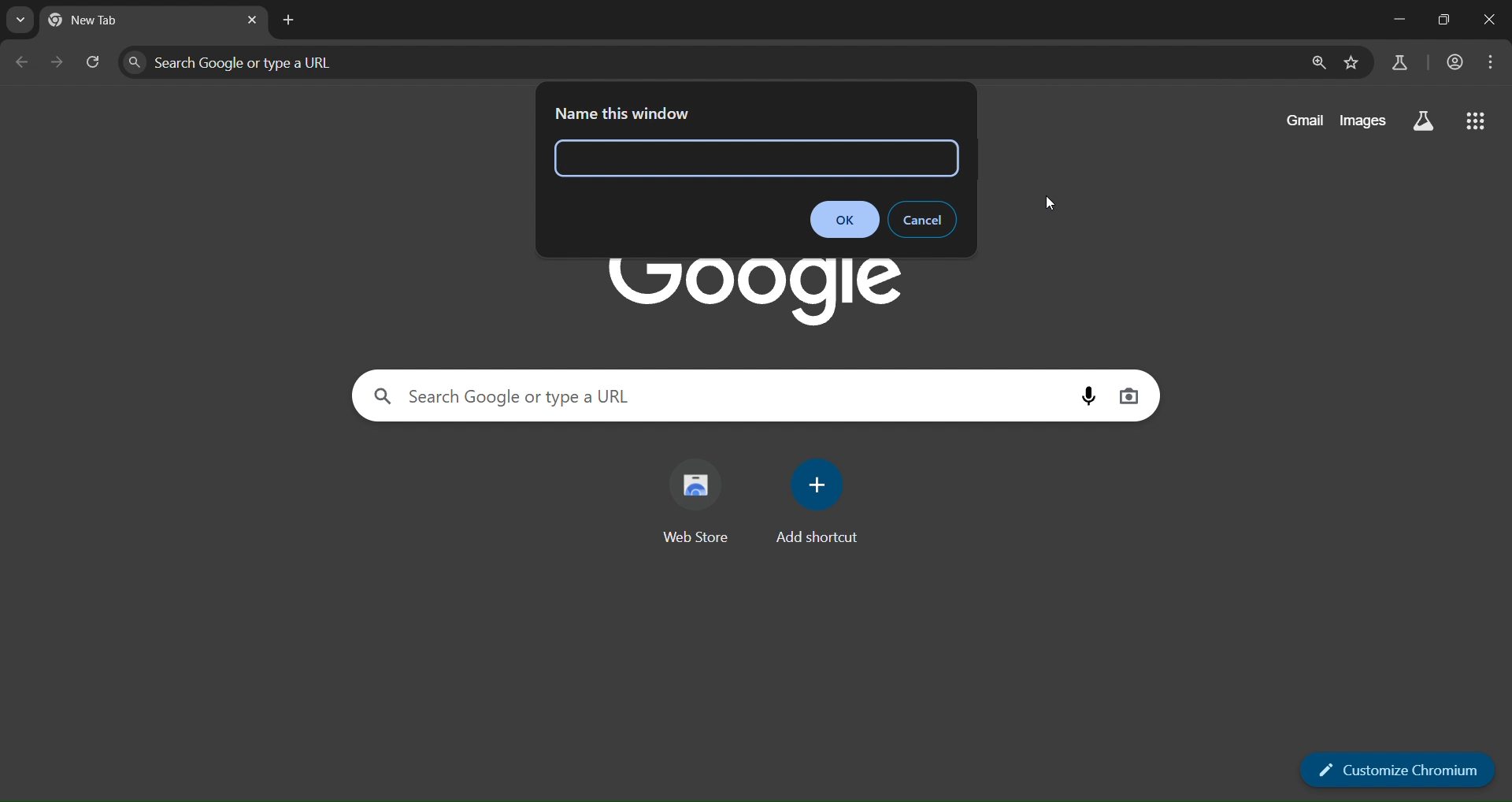 The height and width of the screenshot is (802, 1512). I want to click on ok, so click(844, 219).